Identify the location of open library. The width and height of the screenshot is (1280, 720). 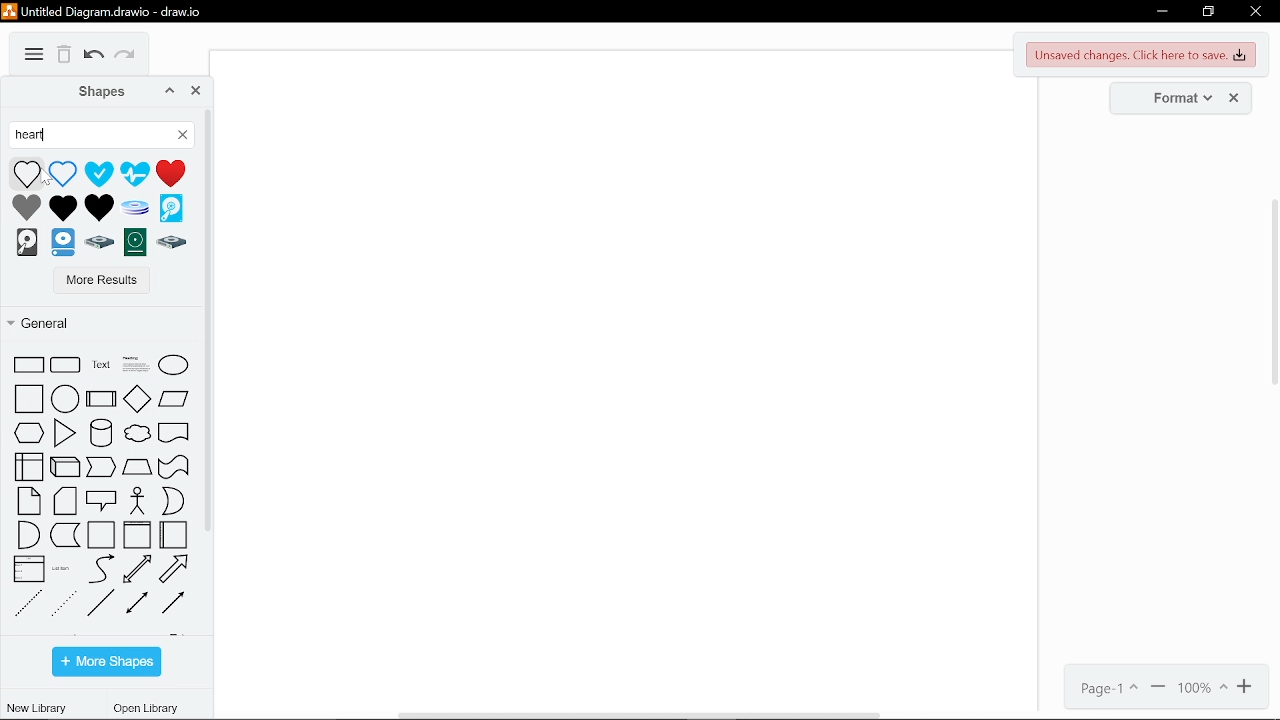
(149, 709).